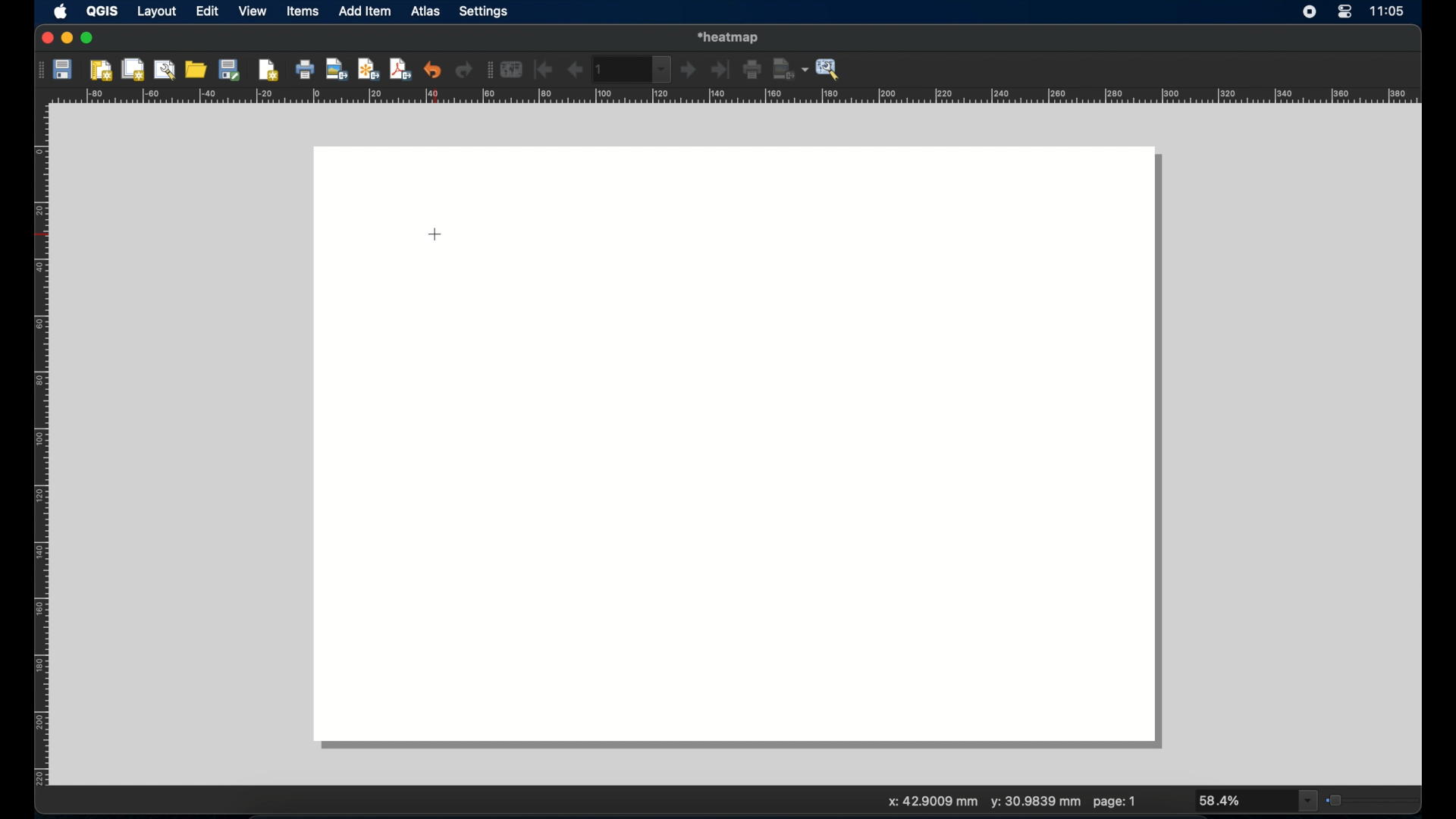 The height and width of the screenshot is (819, 1456). Describe the element at coordinates (156, 13) in the screenshot. I see `layout` at that location.